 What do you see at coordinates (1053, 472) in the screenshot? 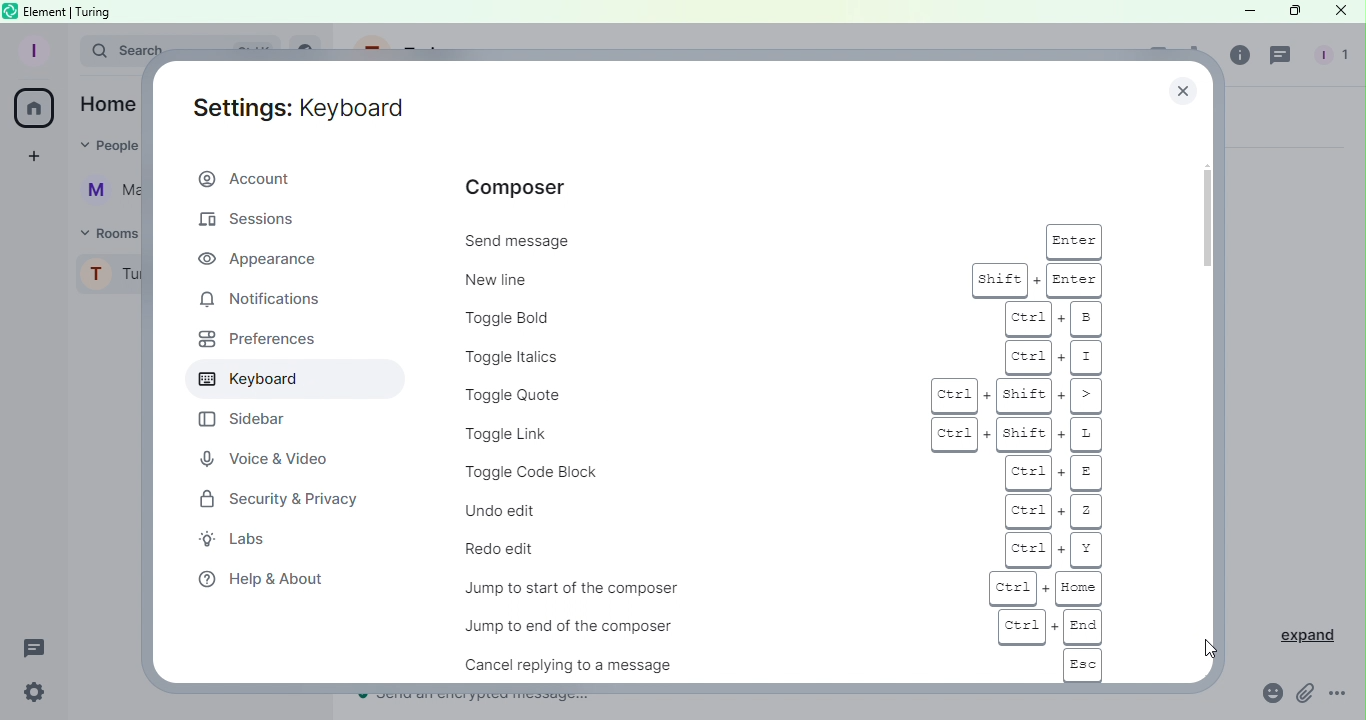
I see `ctrl + E` at bounding box center [1053, 472].